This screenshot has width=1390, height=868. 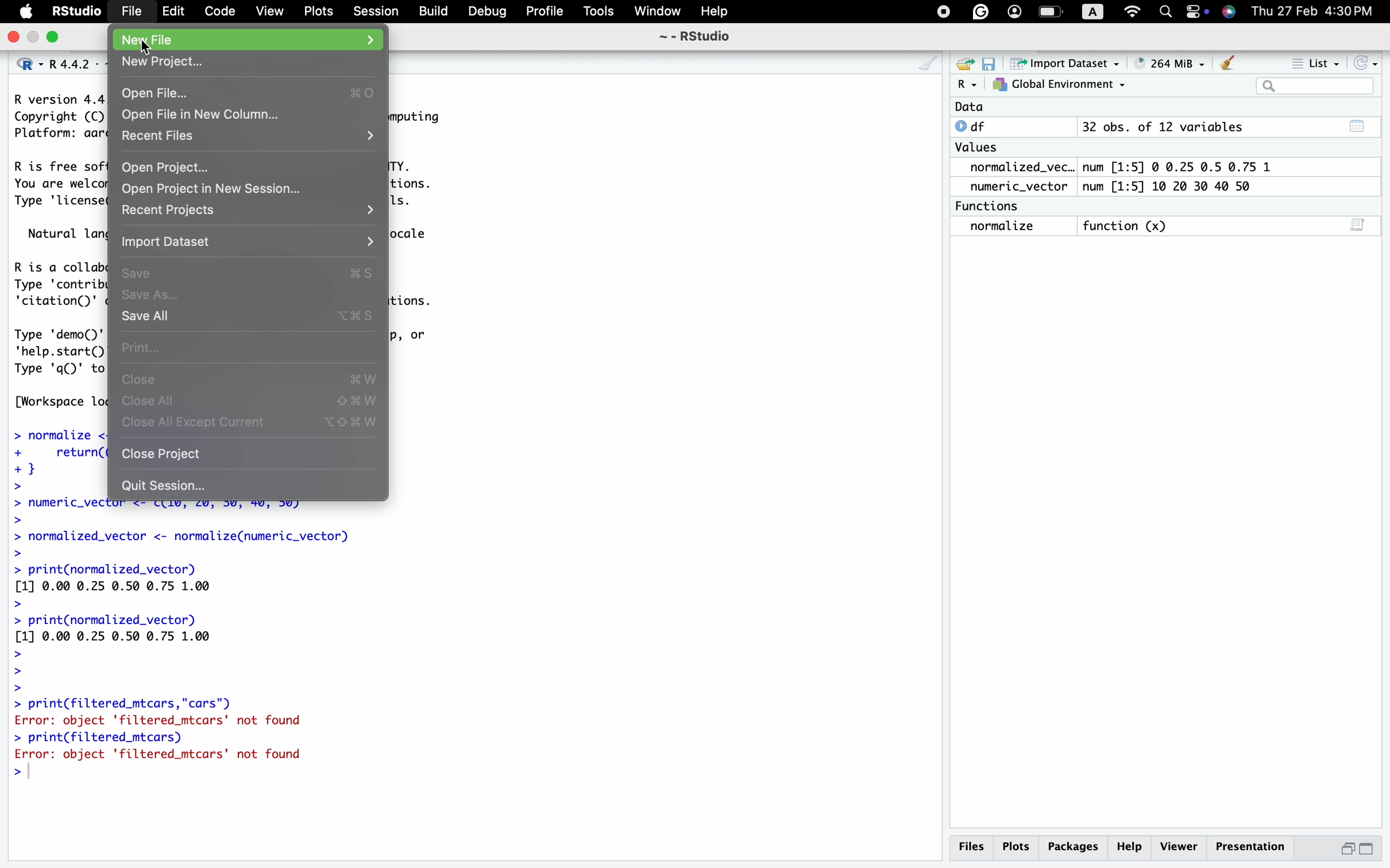 What do you see at coordinates (57, 37) in the screenshot?
I see `maximize` at bounding box center [57, 37].